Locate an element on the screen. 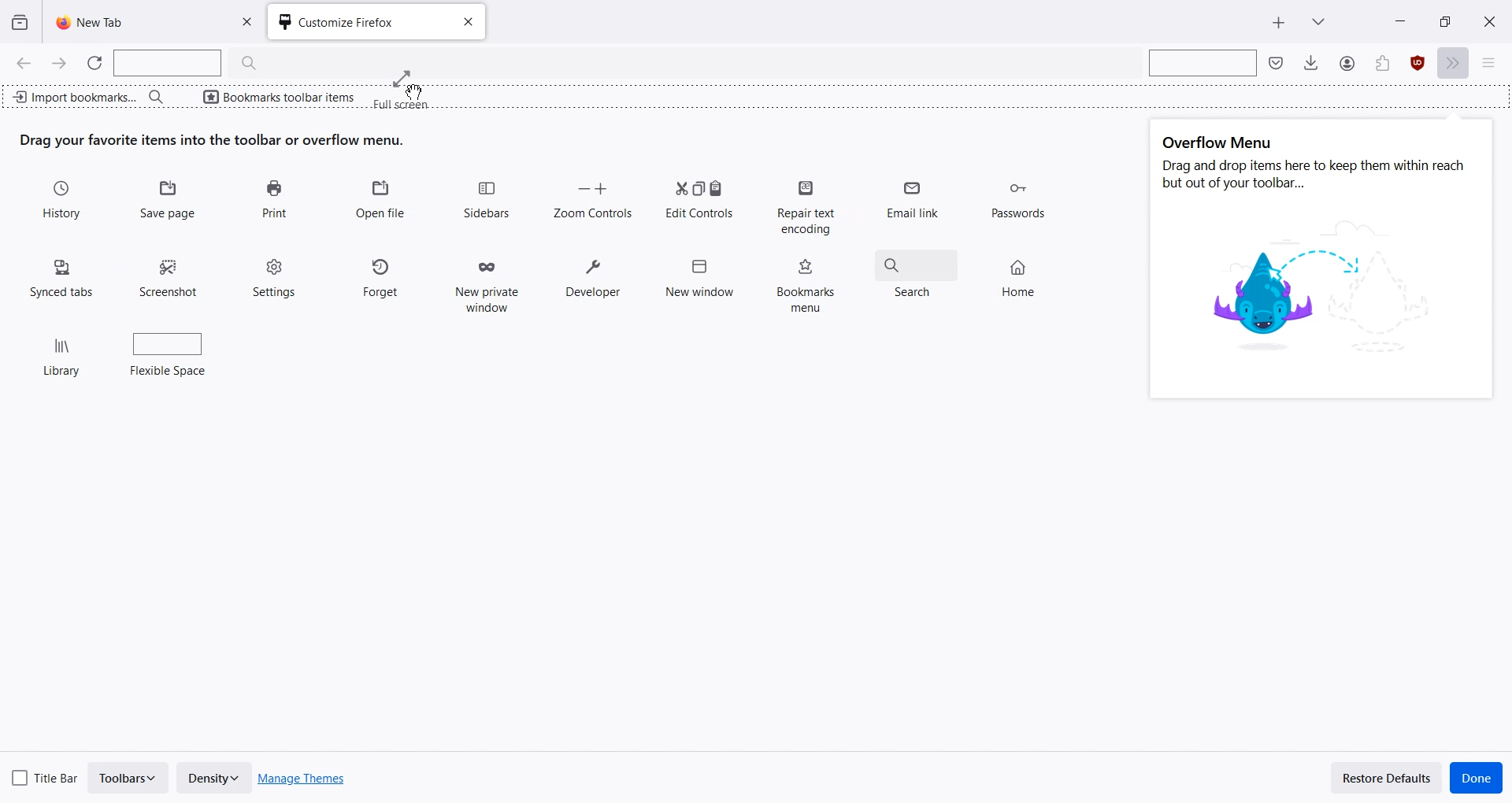 Image resolution: width=1512 pixels, height=803 pixels. Repair text encoding is located at coordinates (805, 205).